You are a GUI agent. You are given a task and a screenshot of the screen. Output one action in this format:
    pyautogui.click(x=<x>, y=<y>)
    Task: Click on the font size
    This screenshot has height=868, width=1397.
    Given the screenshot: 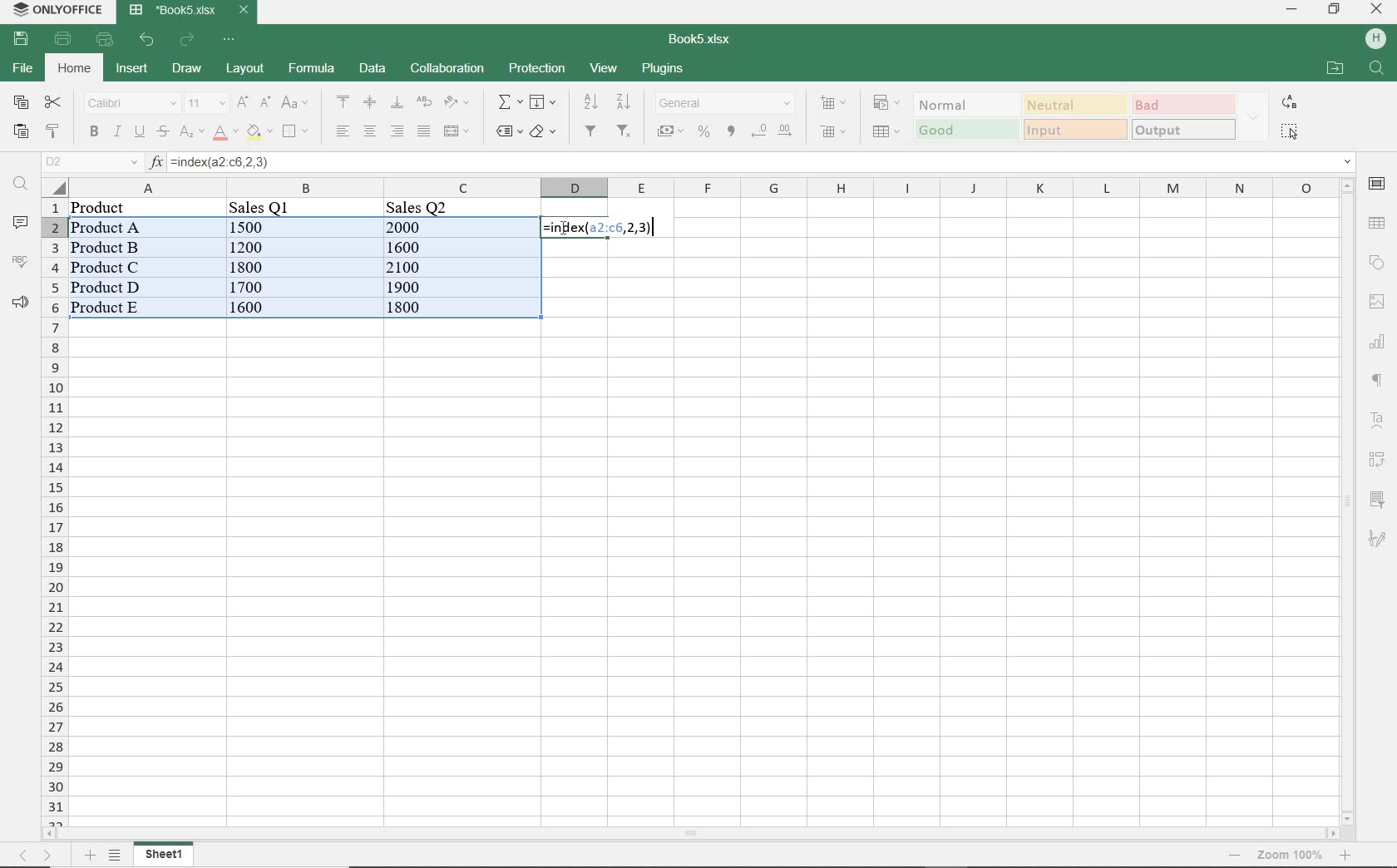 What is the action you would take?
    pyautogui.click(x=205, y=104)
    